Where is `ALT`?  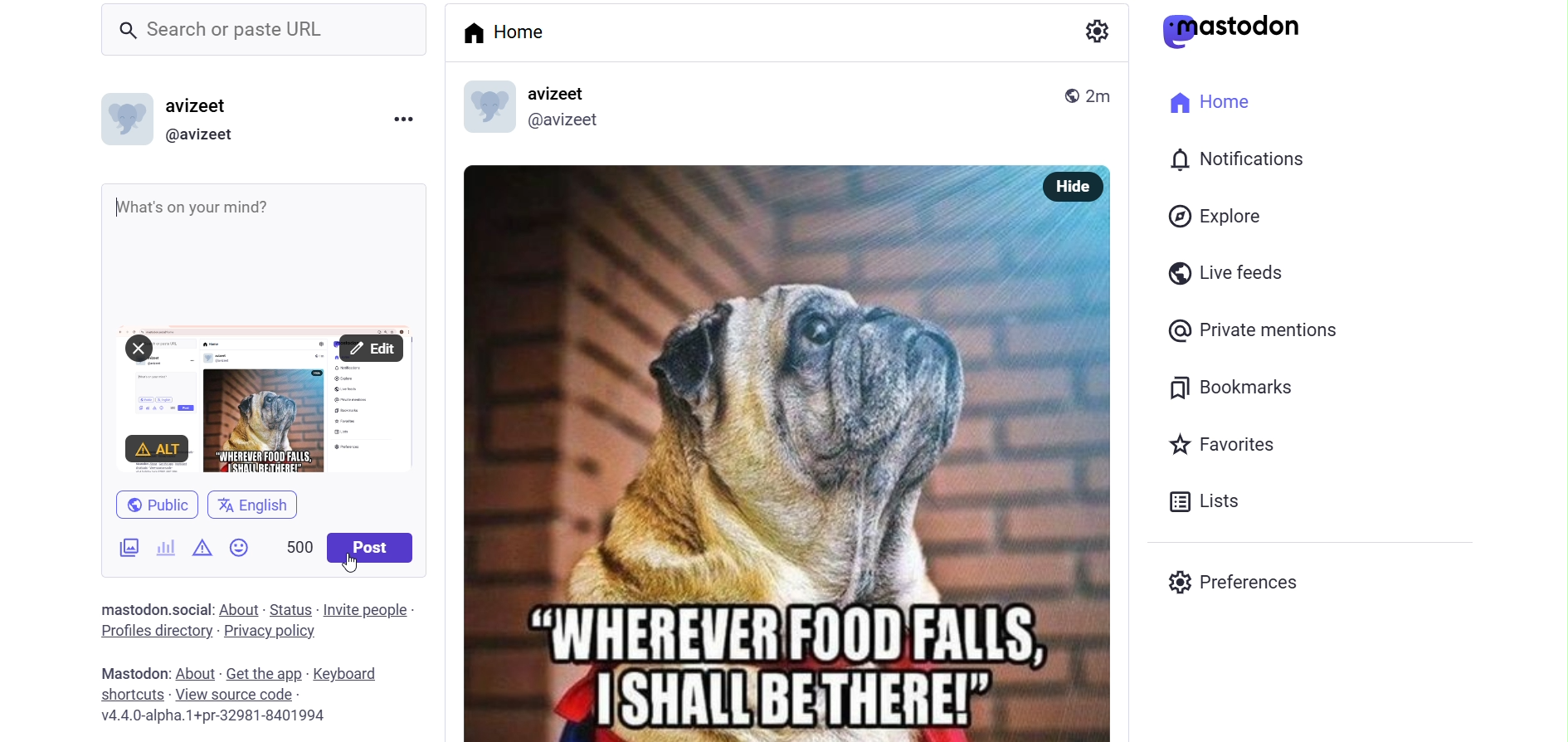 ALT is located at coordinates (157, 448).